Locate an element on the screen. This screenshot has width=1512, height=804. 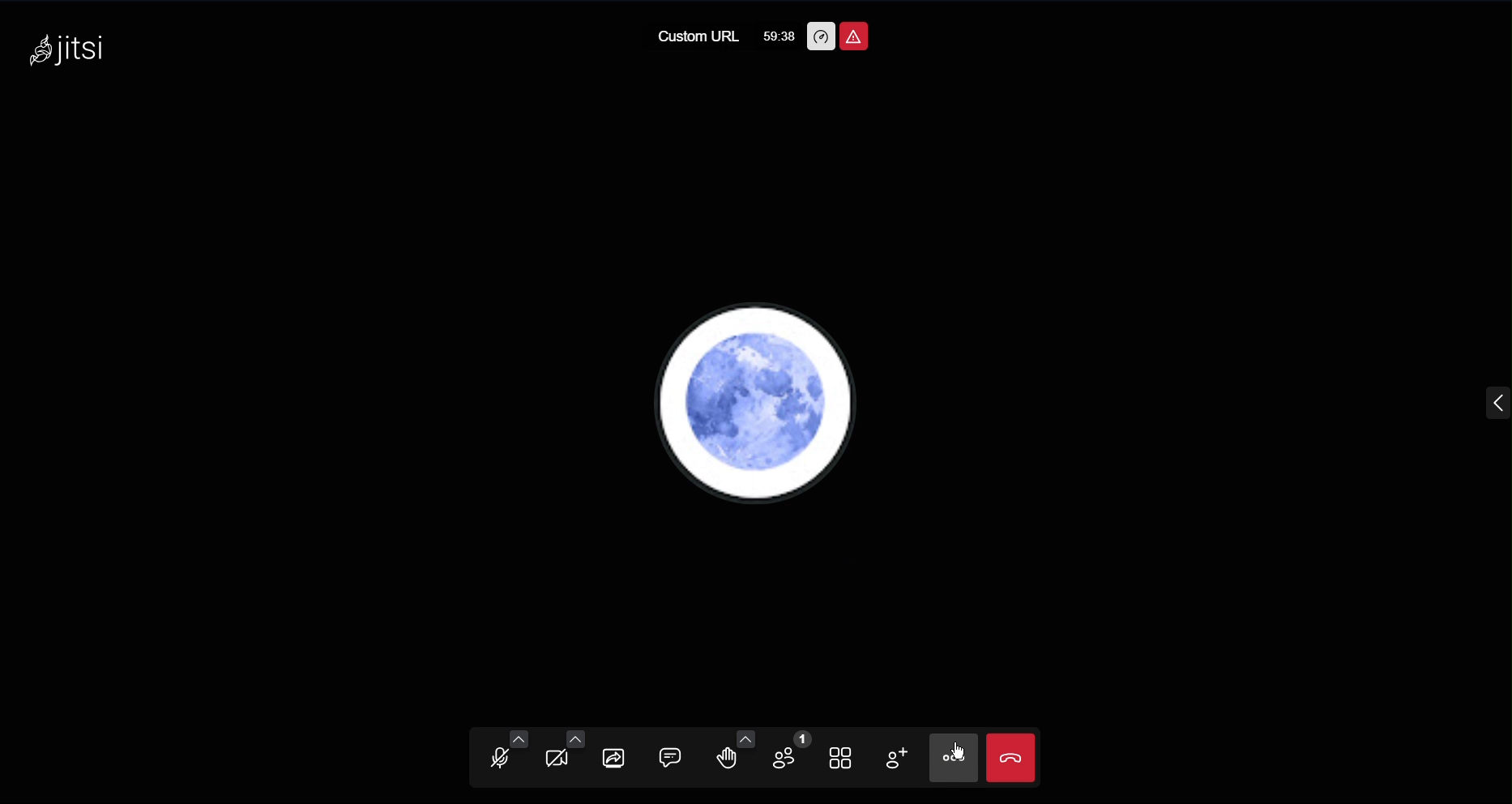
Chat is located at coordinates (676, 758).